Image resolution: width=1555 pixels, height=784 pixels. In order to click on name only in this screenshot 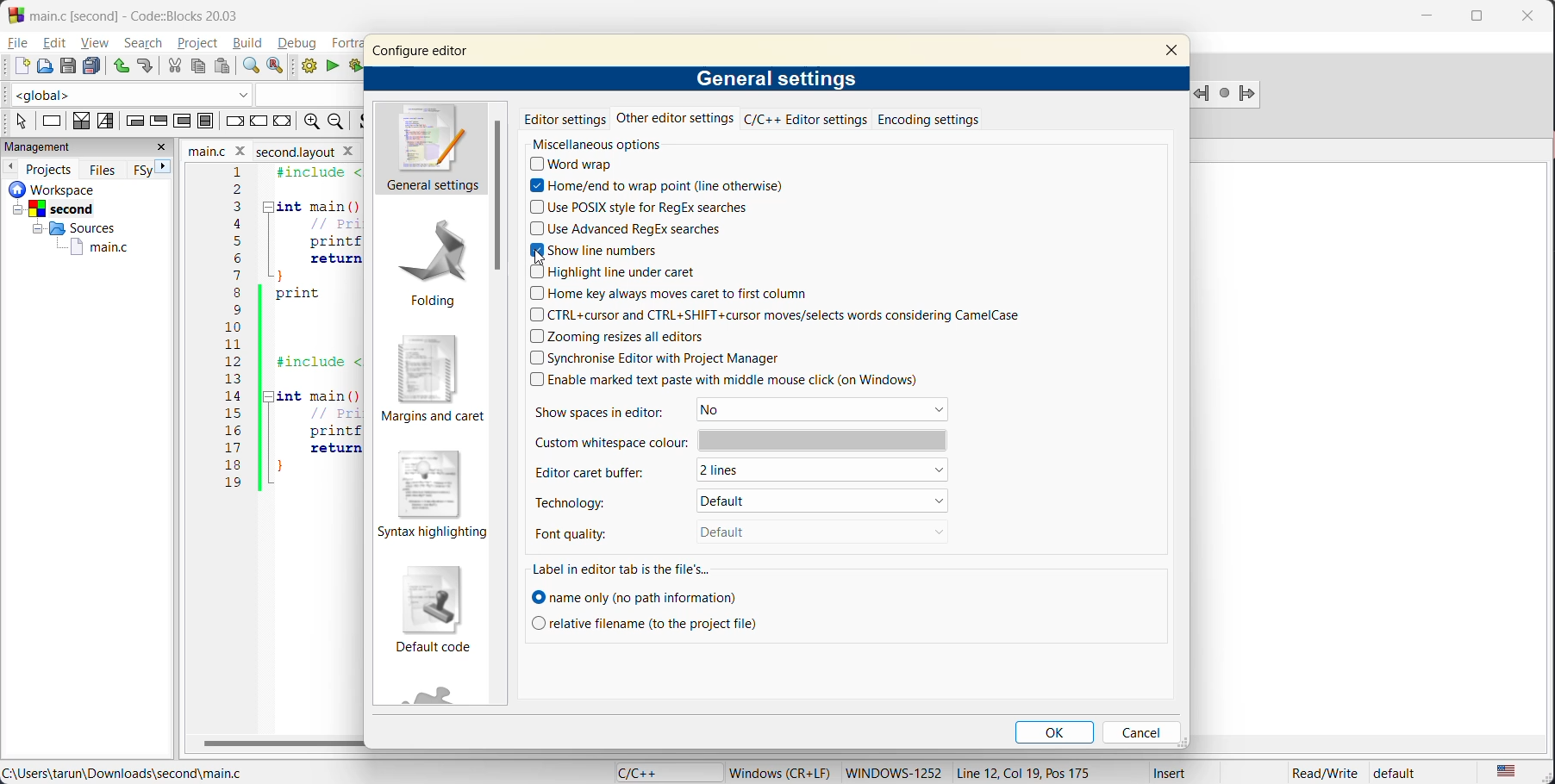, I will do `click(637, 596)`.